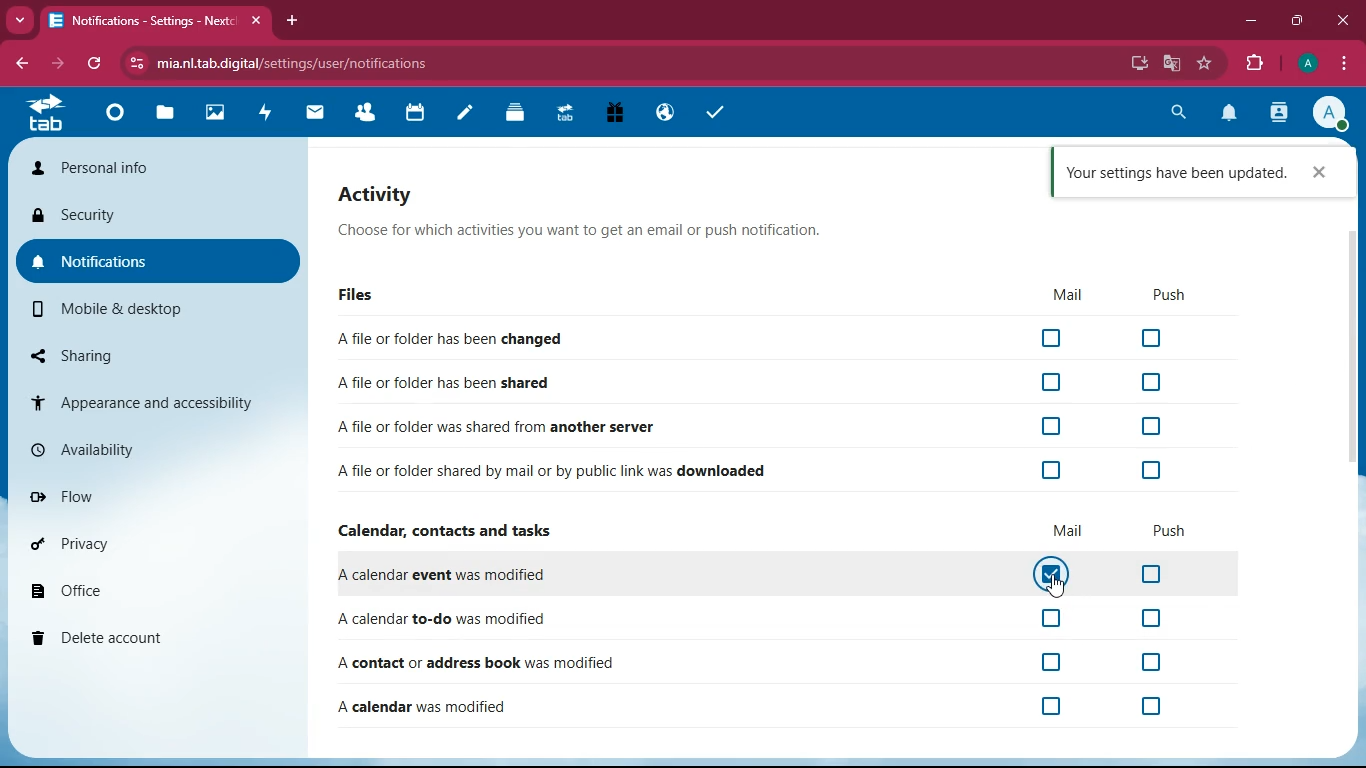 The height and width of the screenshot is (768, 1366). What do you see at coordinates (366, 114) in the screenshot?
I see `Contacts` at bounding box center [366, 114].